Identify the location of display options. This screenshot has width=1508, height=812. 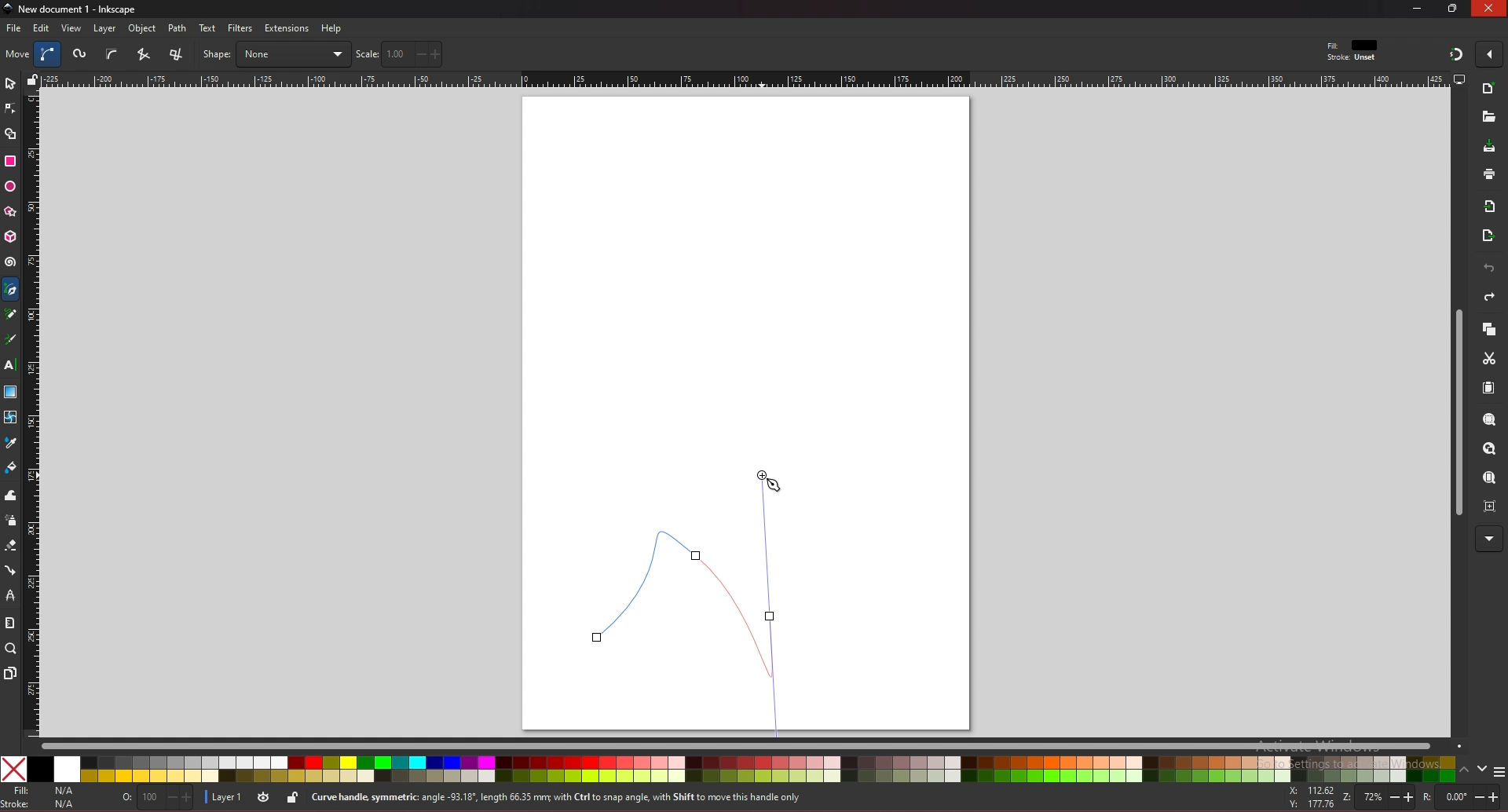
(1459, 79).